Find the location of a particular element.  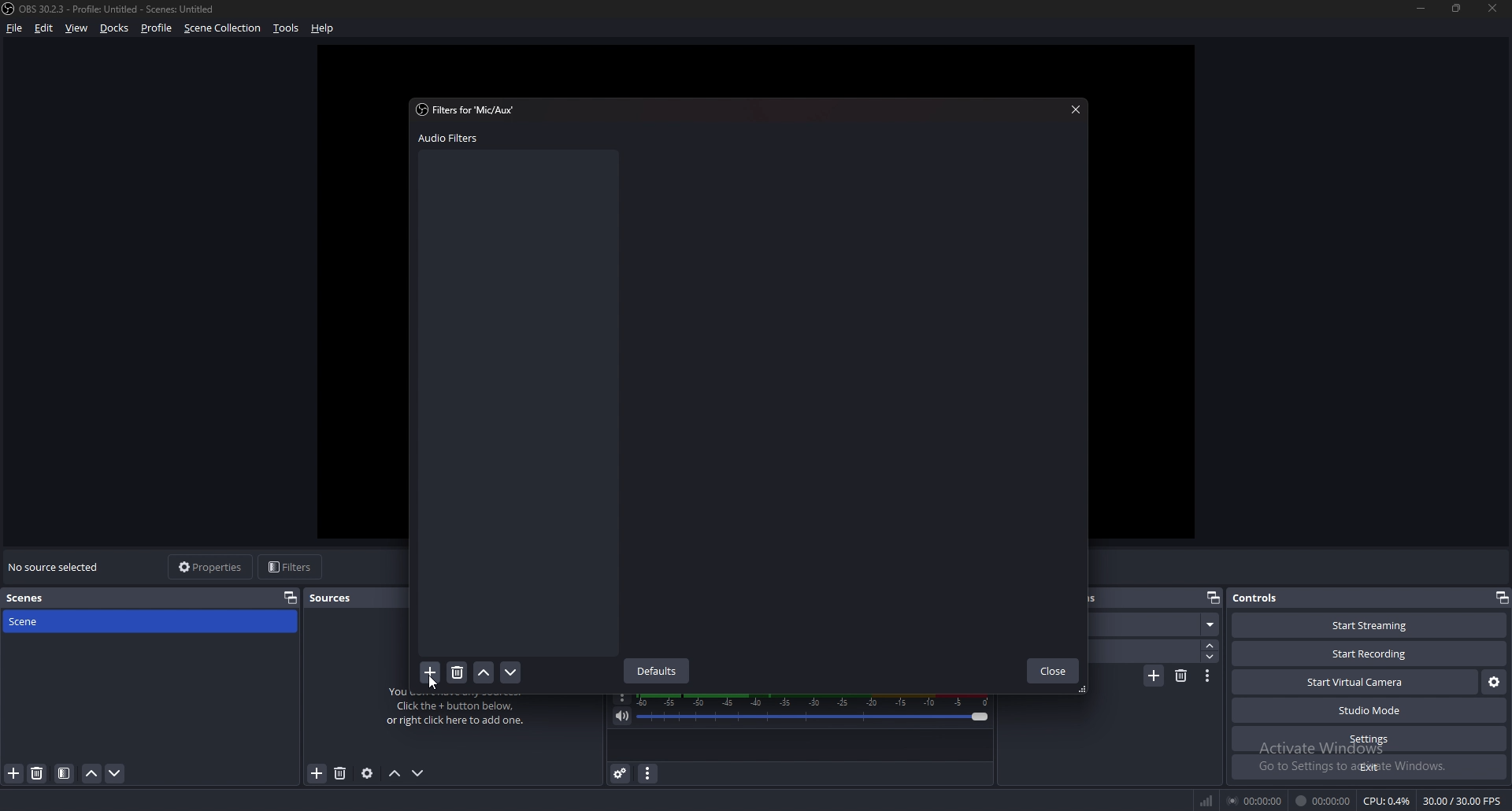

close is located at coordinates (1495, 9).